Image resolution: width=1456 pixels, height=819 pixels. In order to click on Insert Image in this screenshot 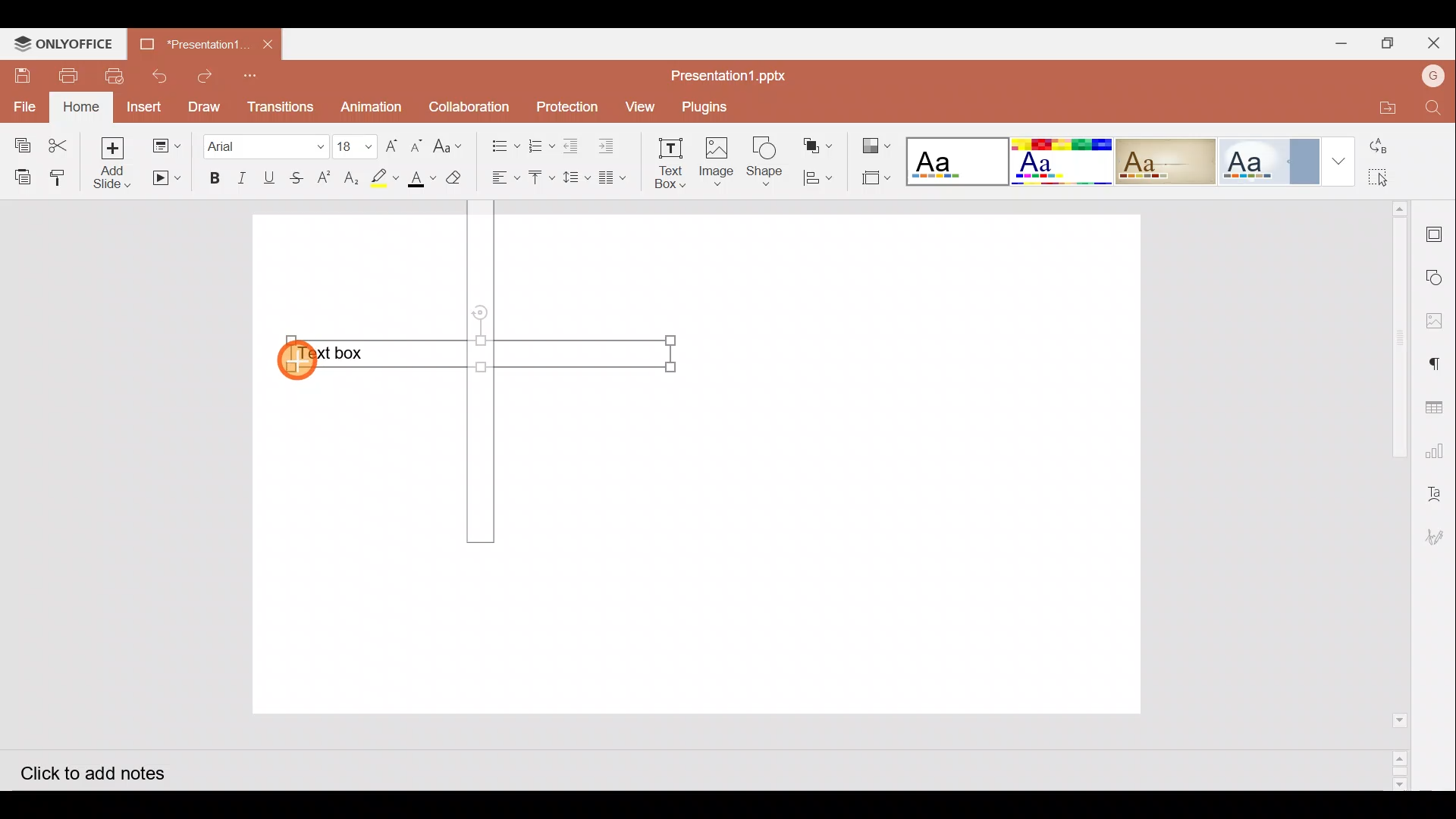, I will do `click(715, 162)`.